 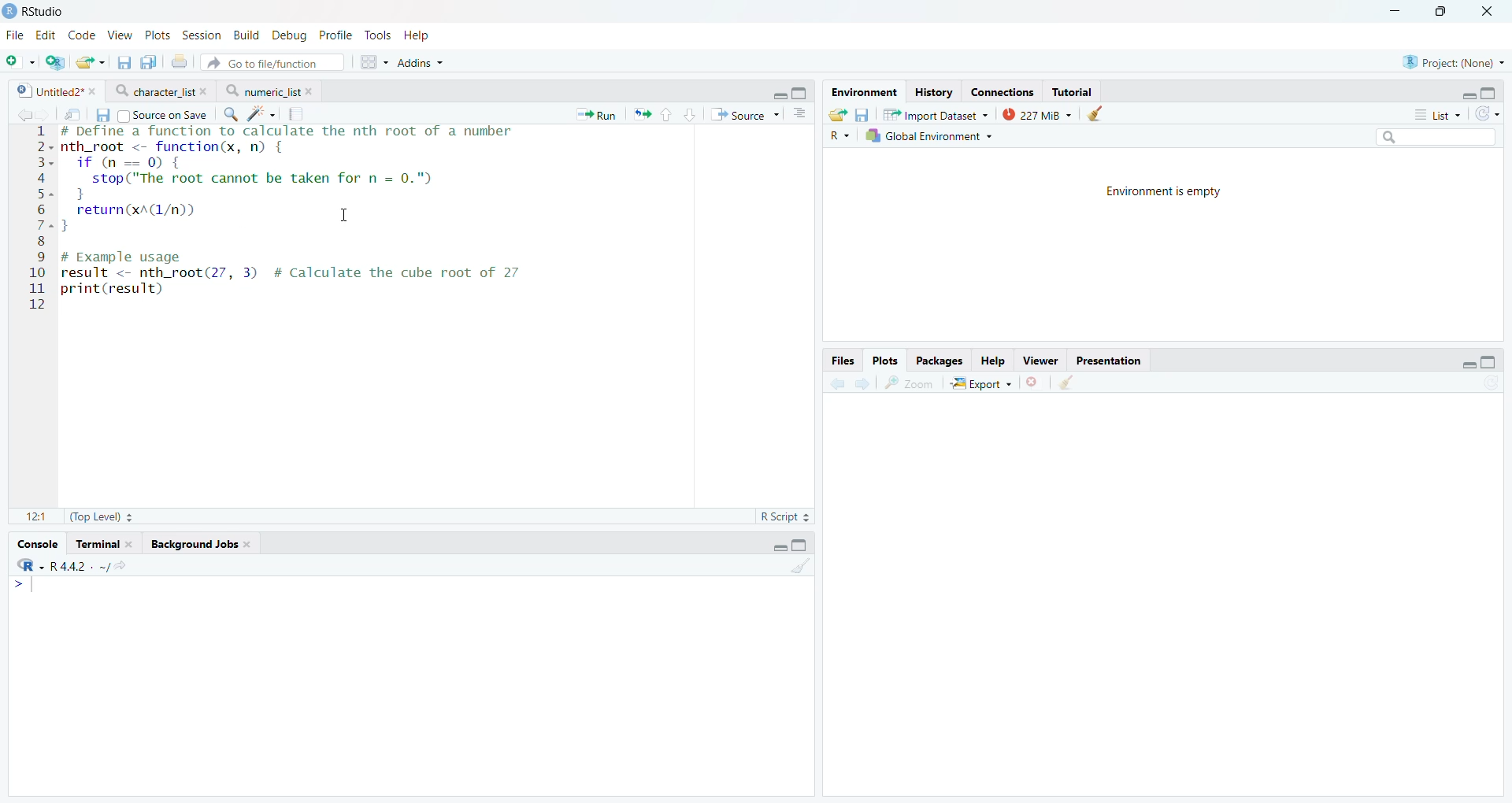 What do you see at coordinates (1036, 382) in the screenshot?
I see `Remove Selected` at bounding box center [1036, 382].